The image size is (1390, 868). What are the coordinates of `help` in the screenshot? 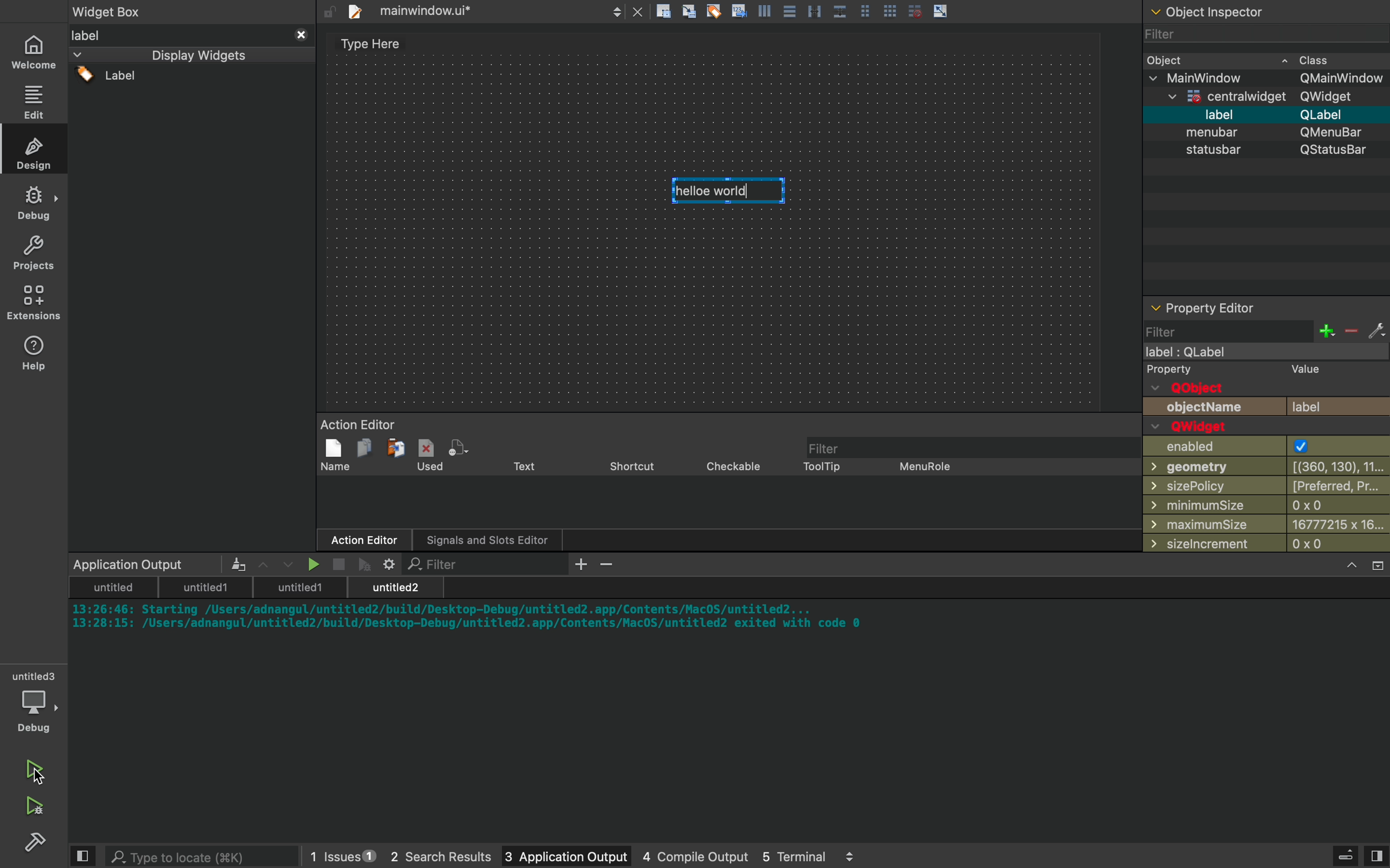 It's located at (34, 352).